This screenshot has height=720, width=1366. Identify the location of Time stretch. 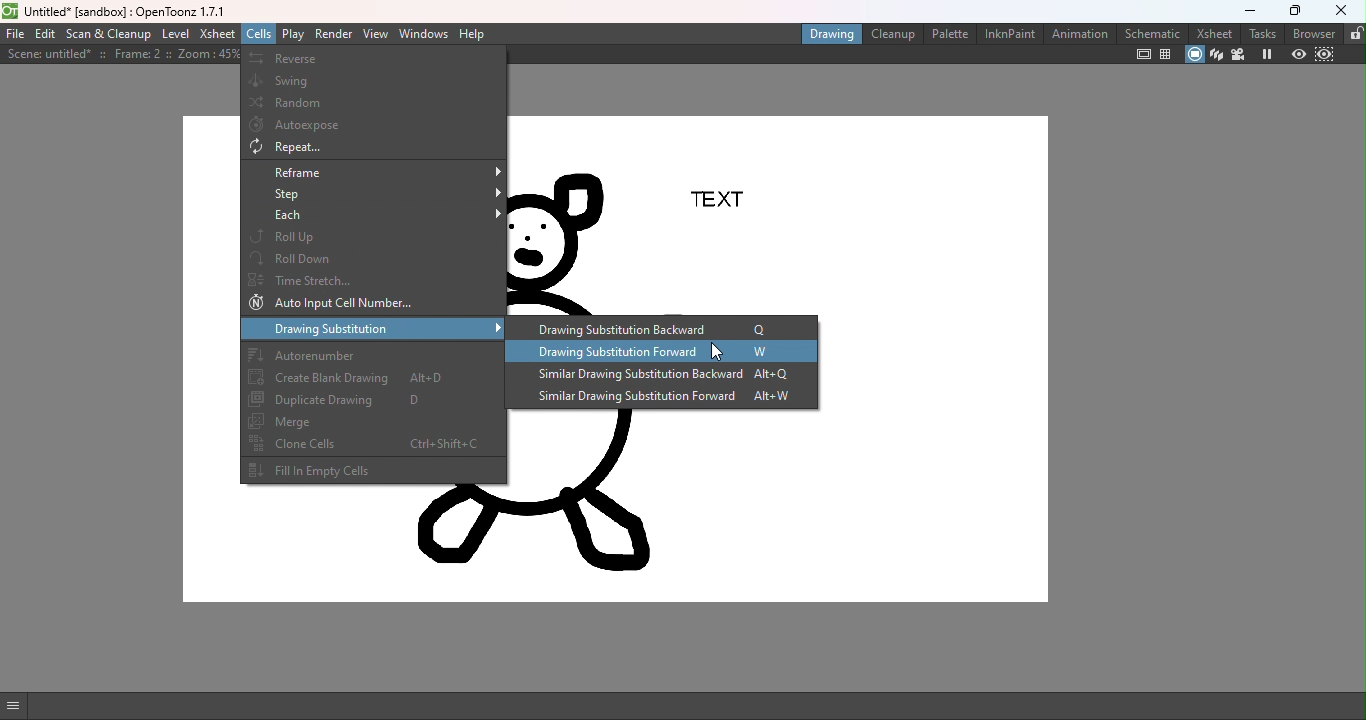
(375, 281).